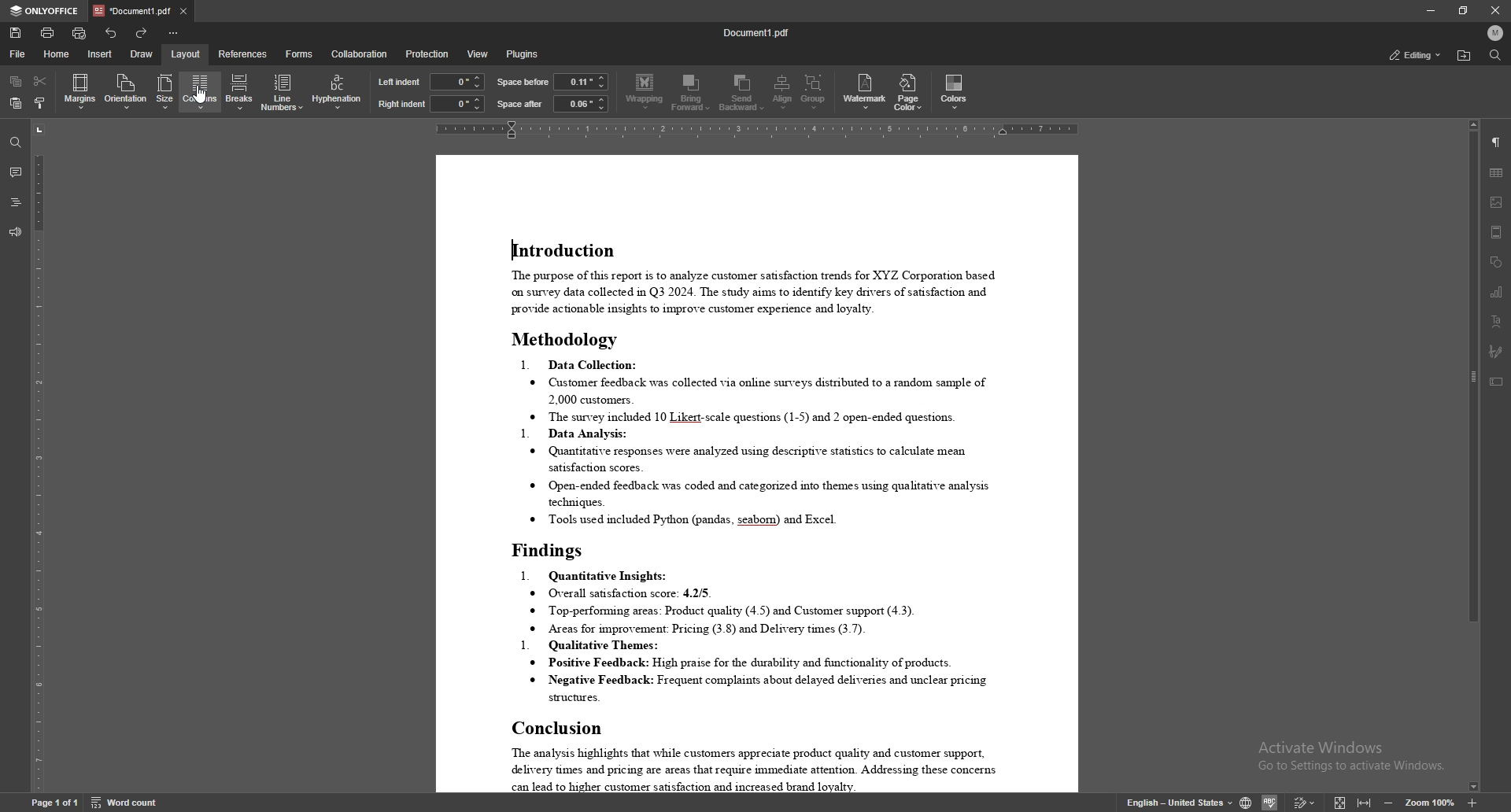  Describe the element at coordinates (400, 81) in the screenshot. I see `left indent` at that location.